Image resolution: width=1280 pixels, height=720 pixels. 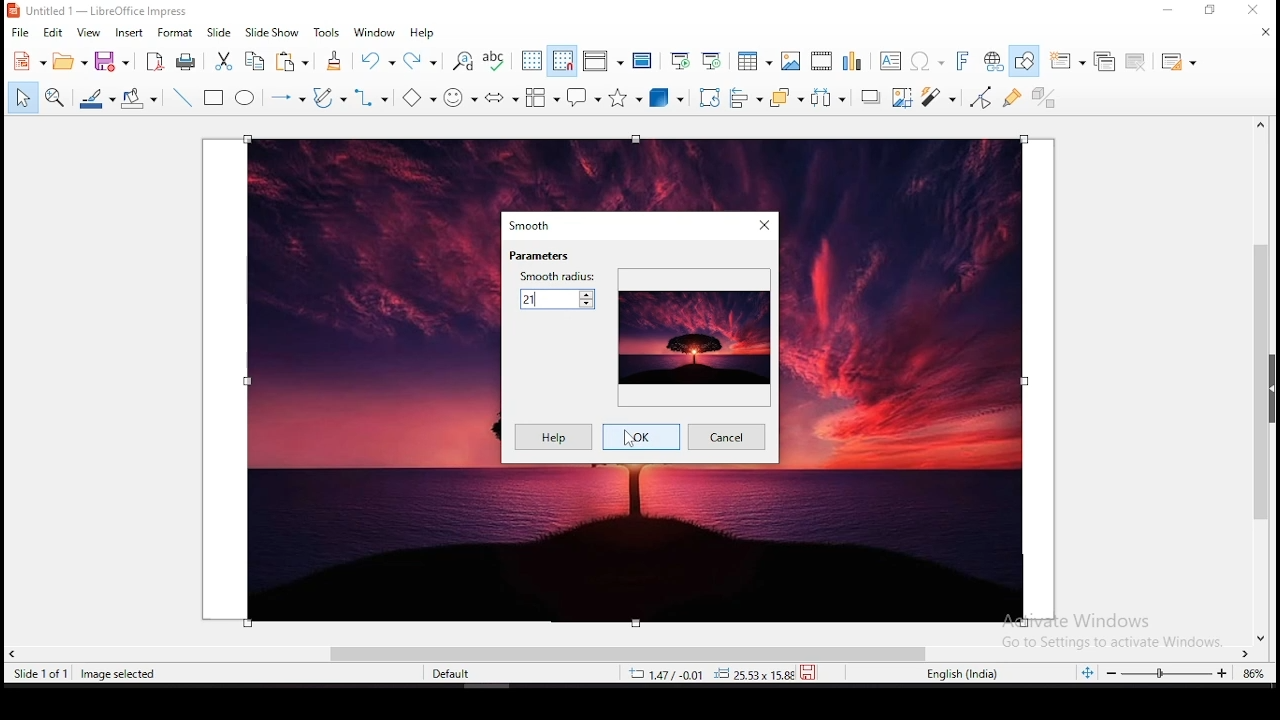 What do you see at coordinates (215, 97) in the screenshot?
I see `rectangle tool` at bounding box center [215, 97].